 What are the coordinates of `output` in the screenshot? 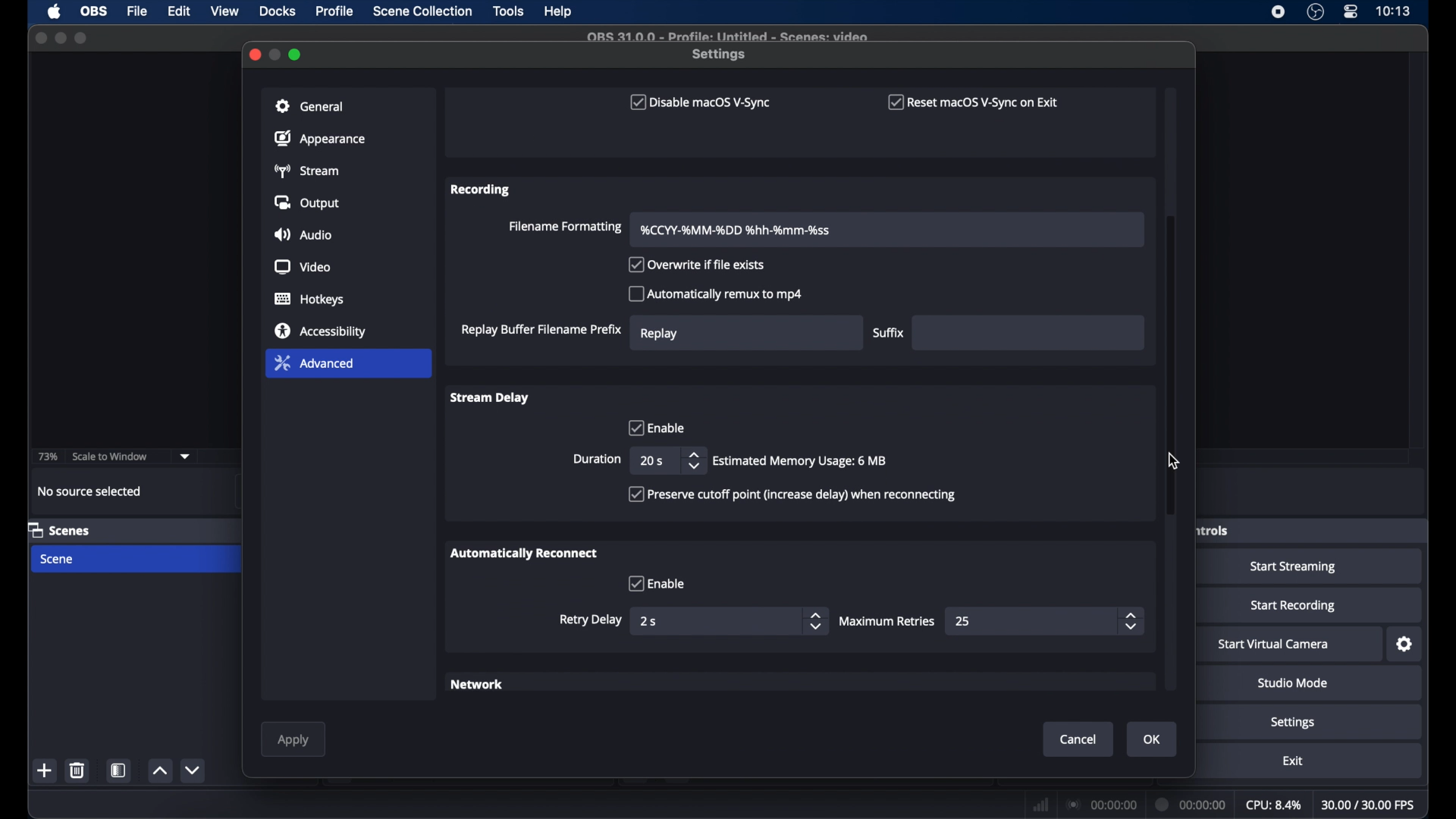 It's located at (309, 202).